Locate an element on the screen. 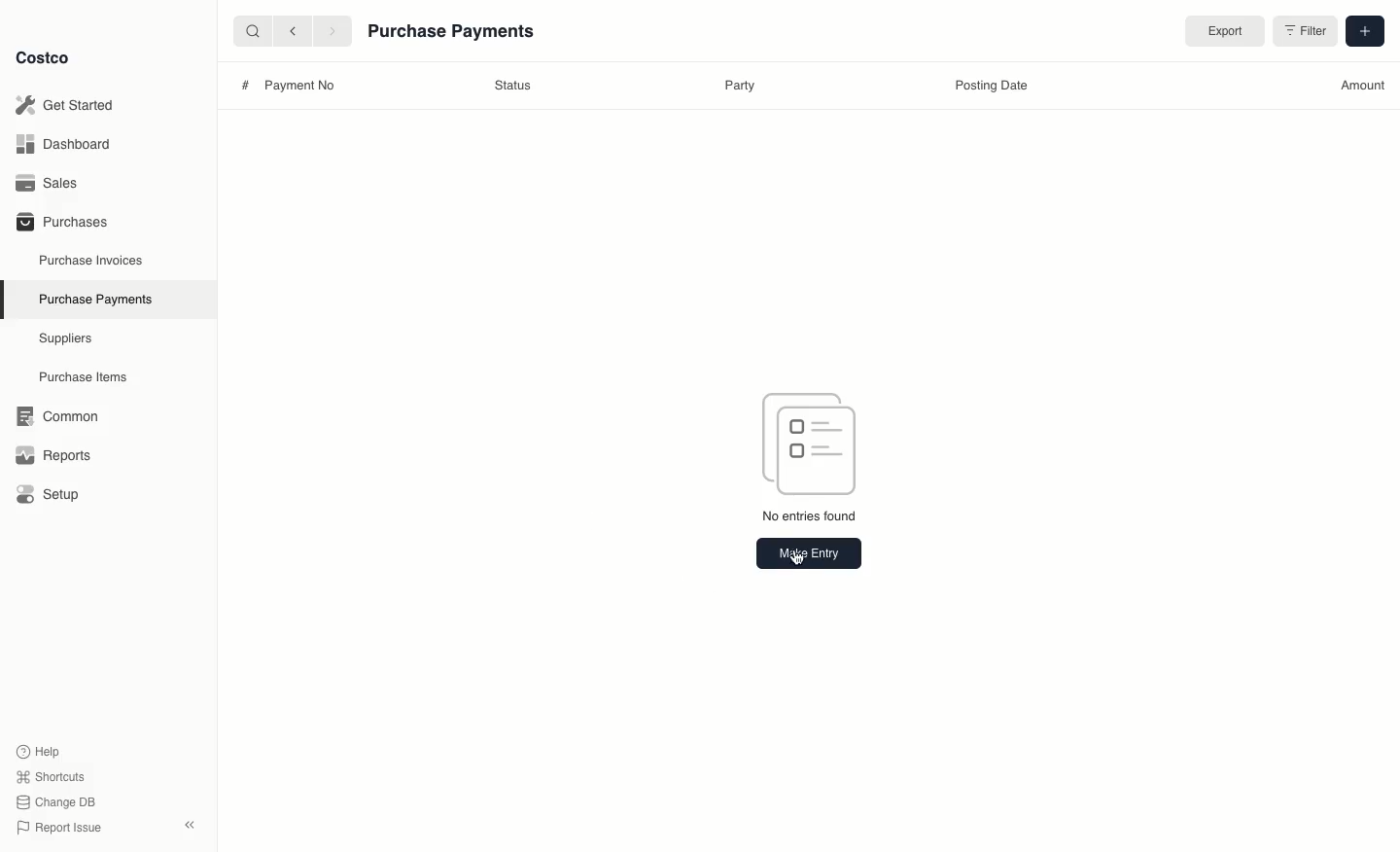  # is located at coordinates (245, 85).